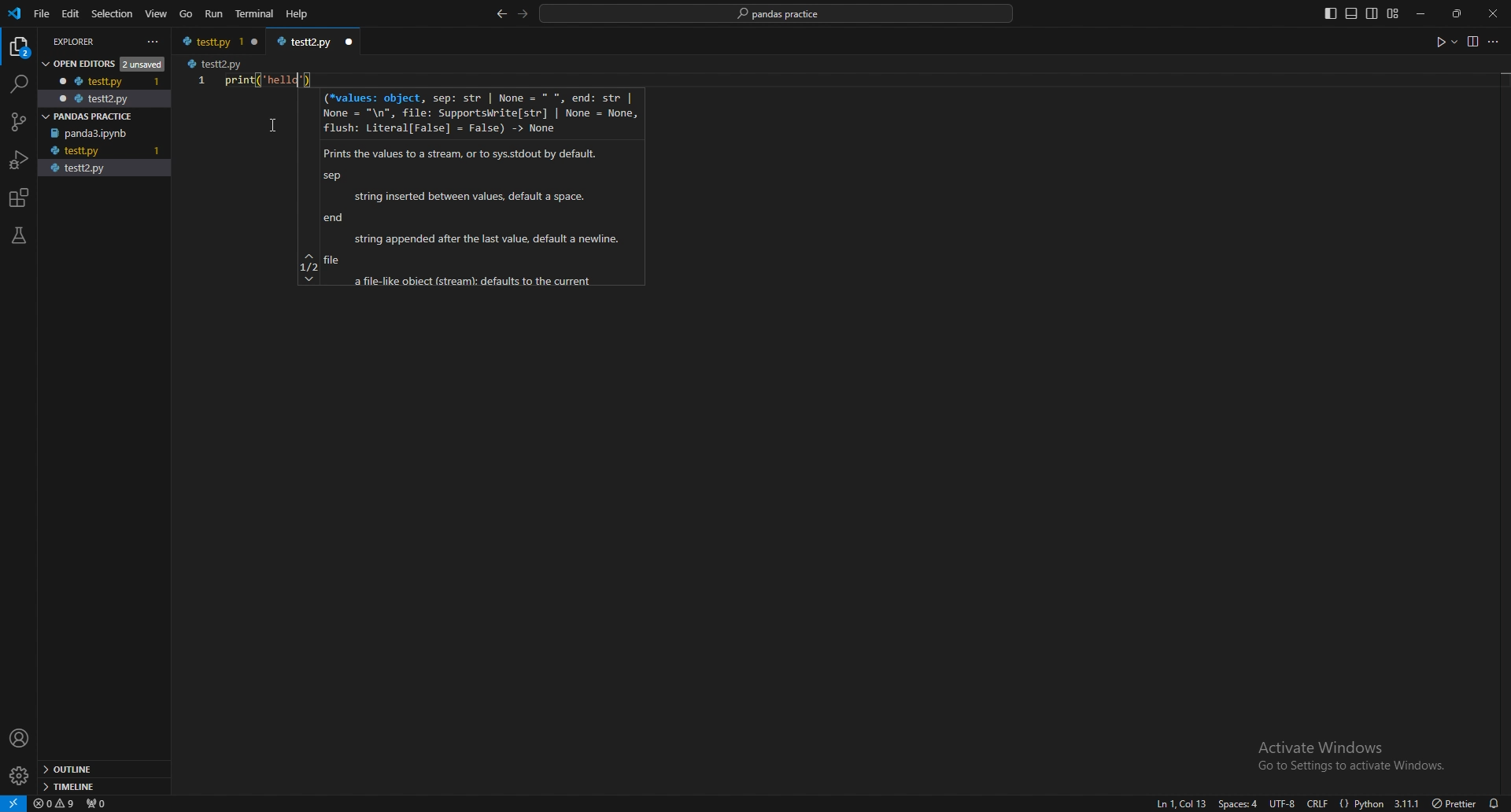 This screenshot has height=812, width=1511. I want to click on alarms, so click(1494, 803).